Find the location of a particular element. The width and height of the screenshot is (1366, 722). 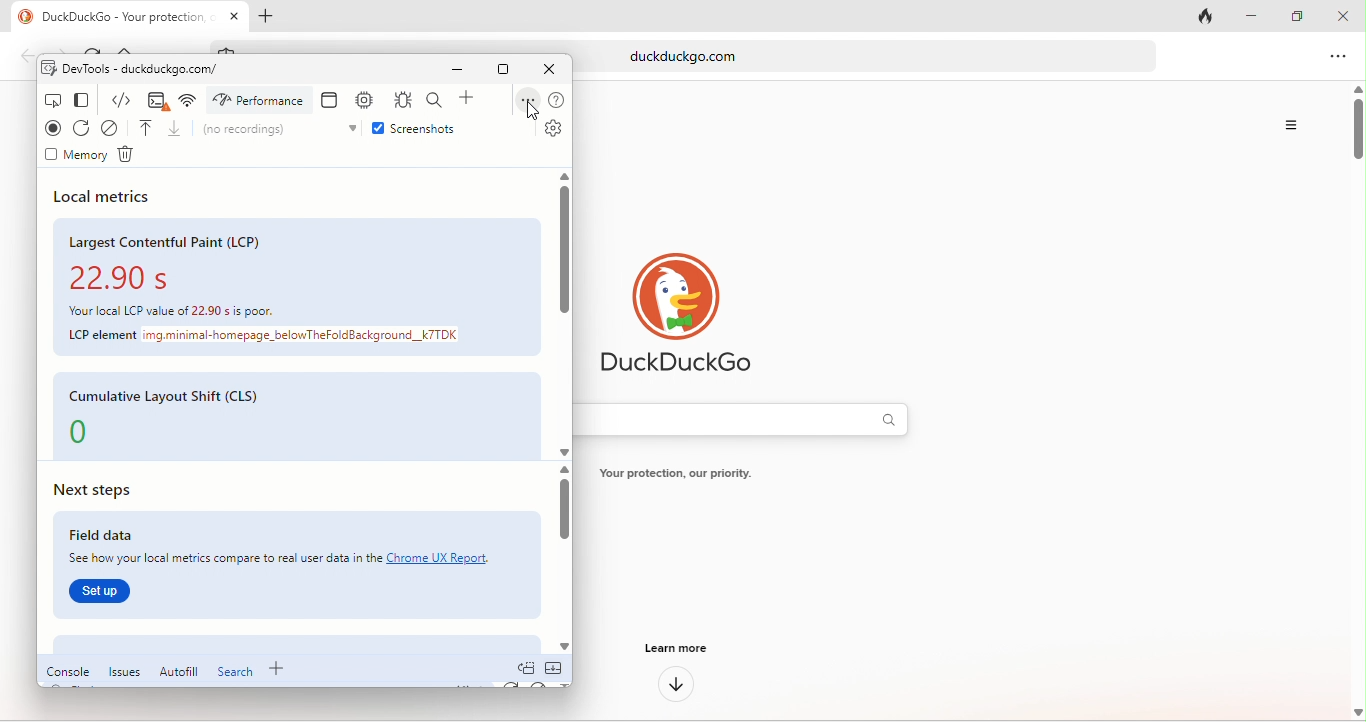

console is located at coordinates (158, 99).